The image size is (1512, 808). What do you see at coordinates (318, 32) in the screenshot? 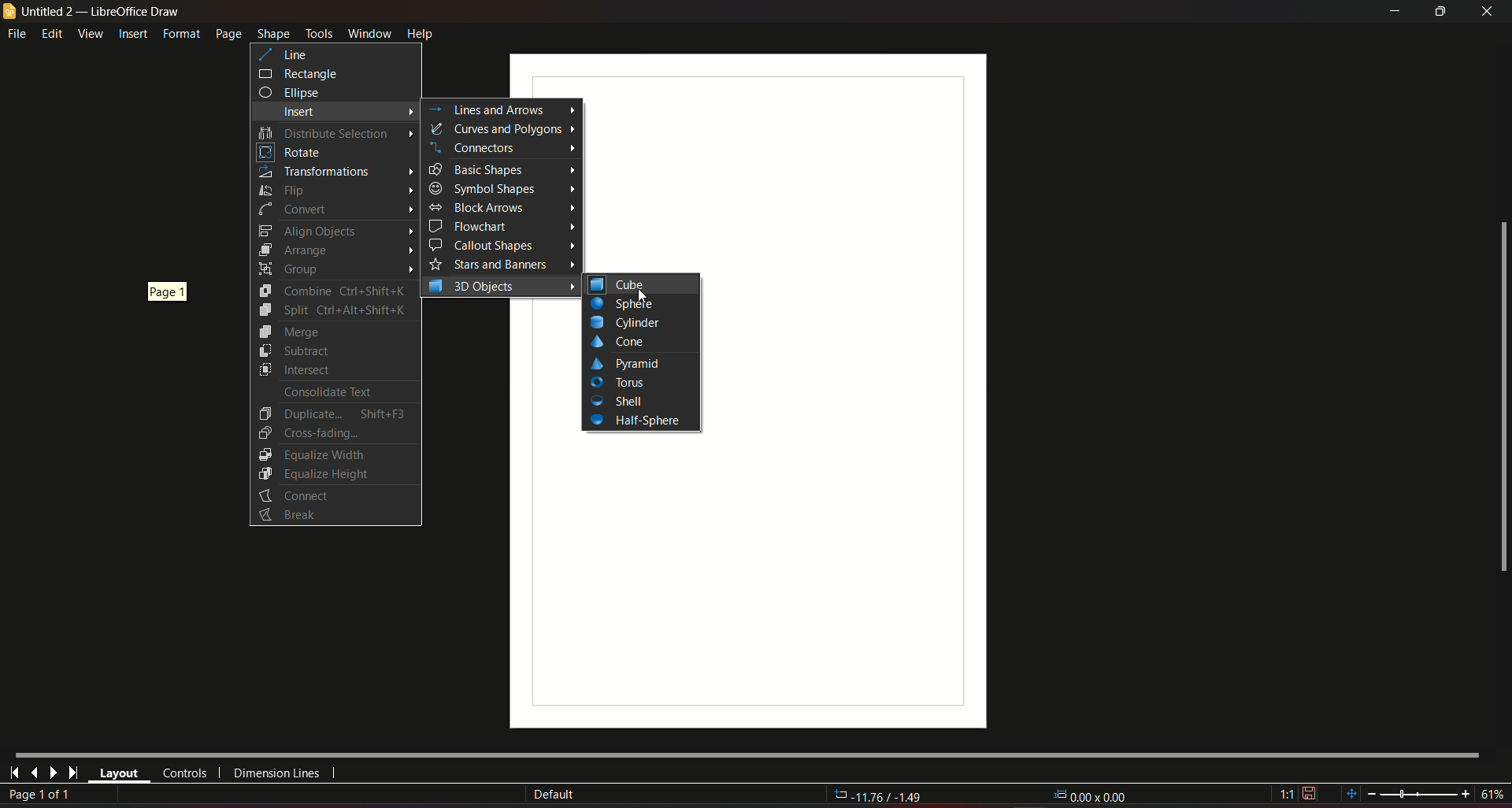
I see `tools` at bounding box center [318, 32].